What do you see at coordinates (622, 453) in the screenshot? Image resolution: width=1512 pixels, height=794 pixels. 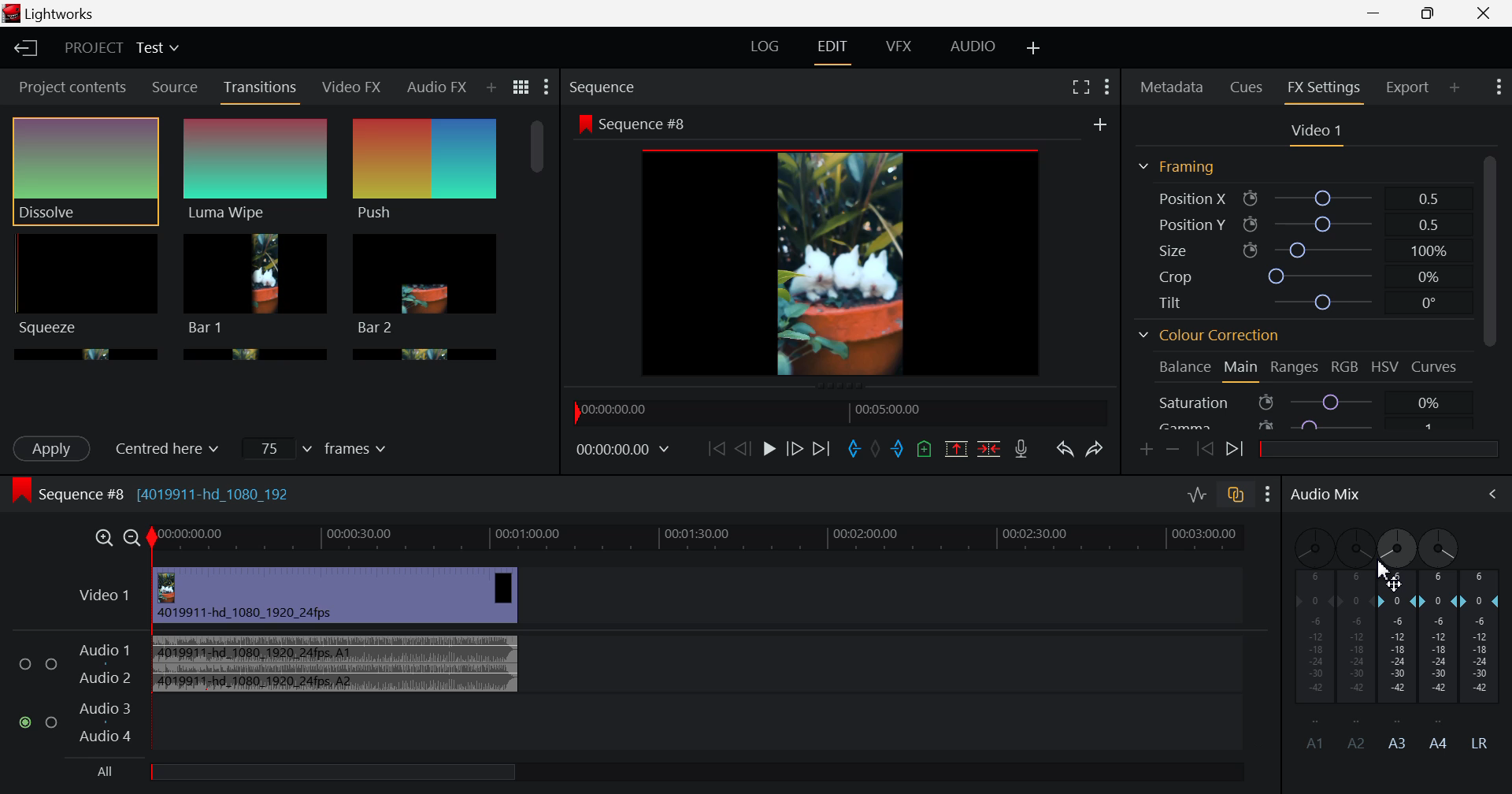 I see `Frame Time` at bounding box center [622, 453].